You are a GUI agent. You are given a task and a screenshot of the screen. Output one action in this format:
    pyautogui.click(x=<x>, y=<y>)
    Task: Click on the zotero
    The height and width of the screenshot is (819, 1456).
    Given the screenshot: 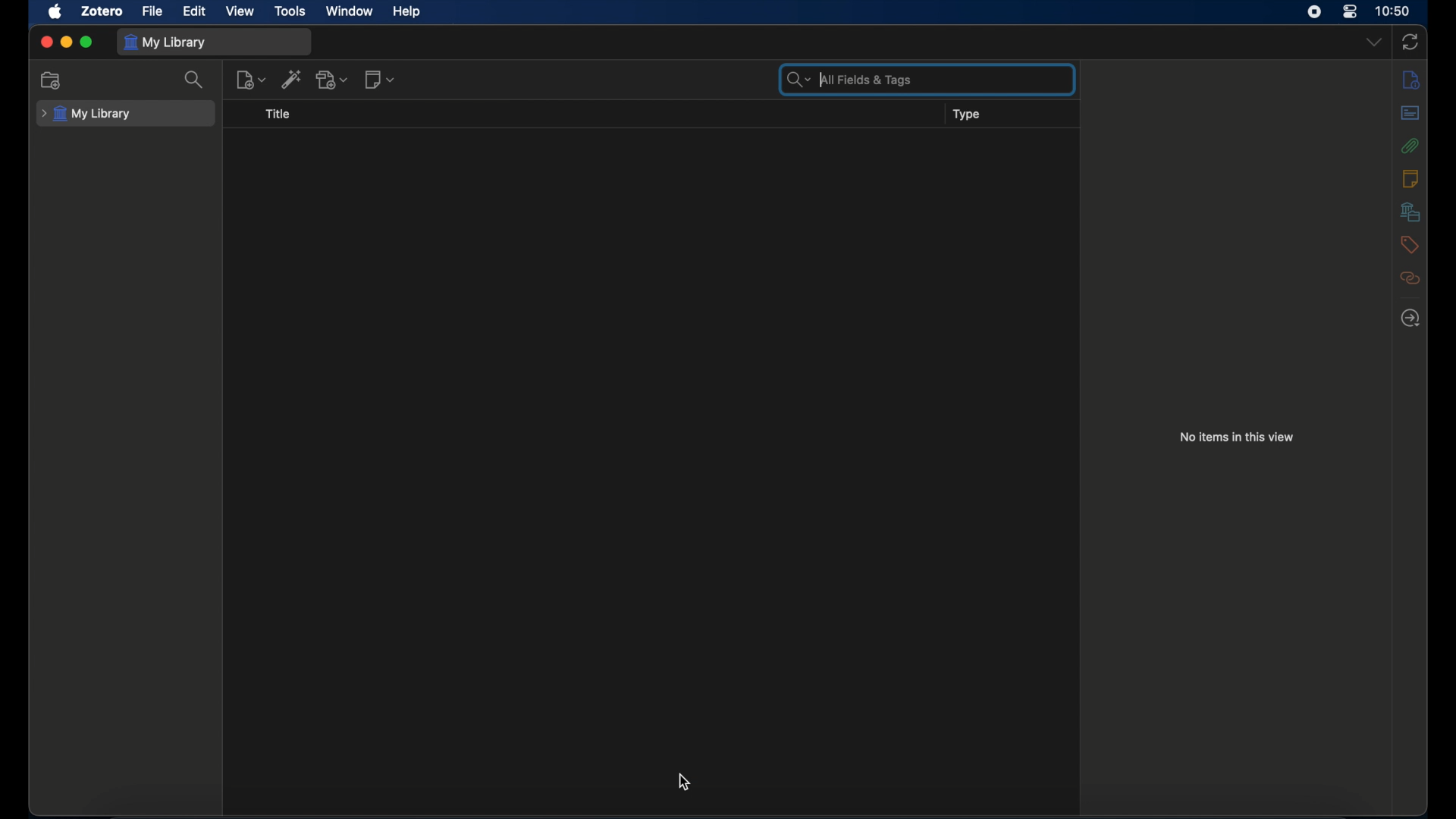 What is the action you would take?
    pyautogui.click(x=103, y=11)
    